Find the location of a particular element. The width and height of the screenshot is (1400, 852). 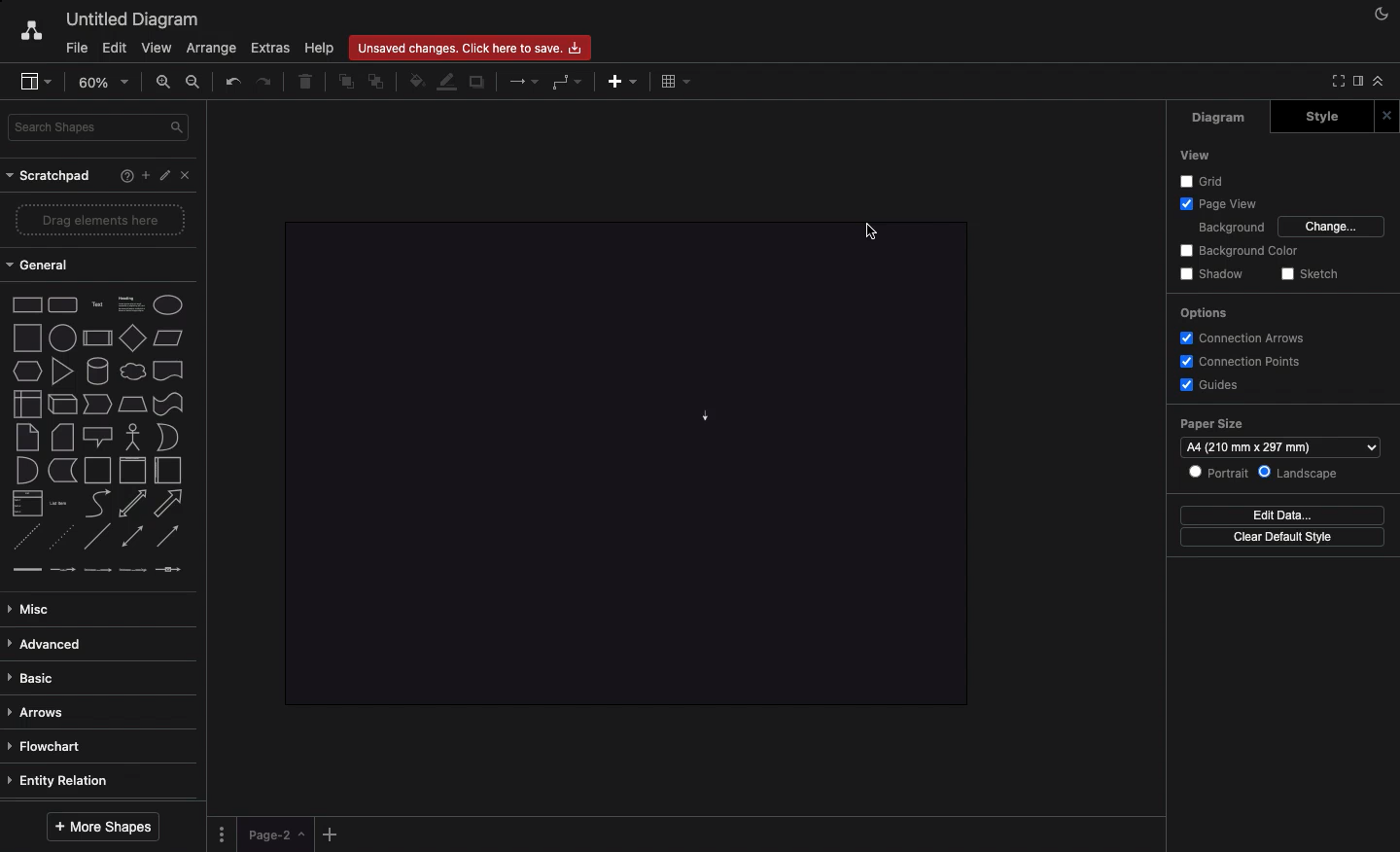

Add is located at coordinates (332, 831).